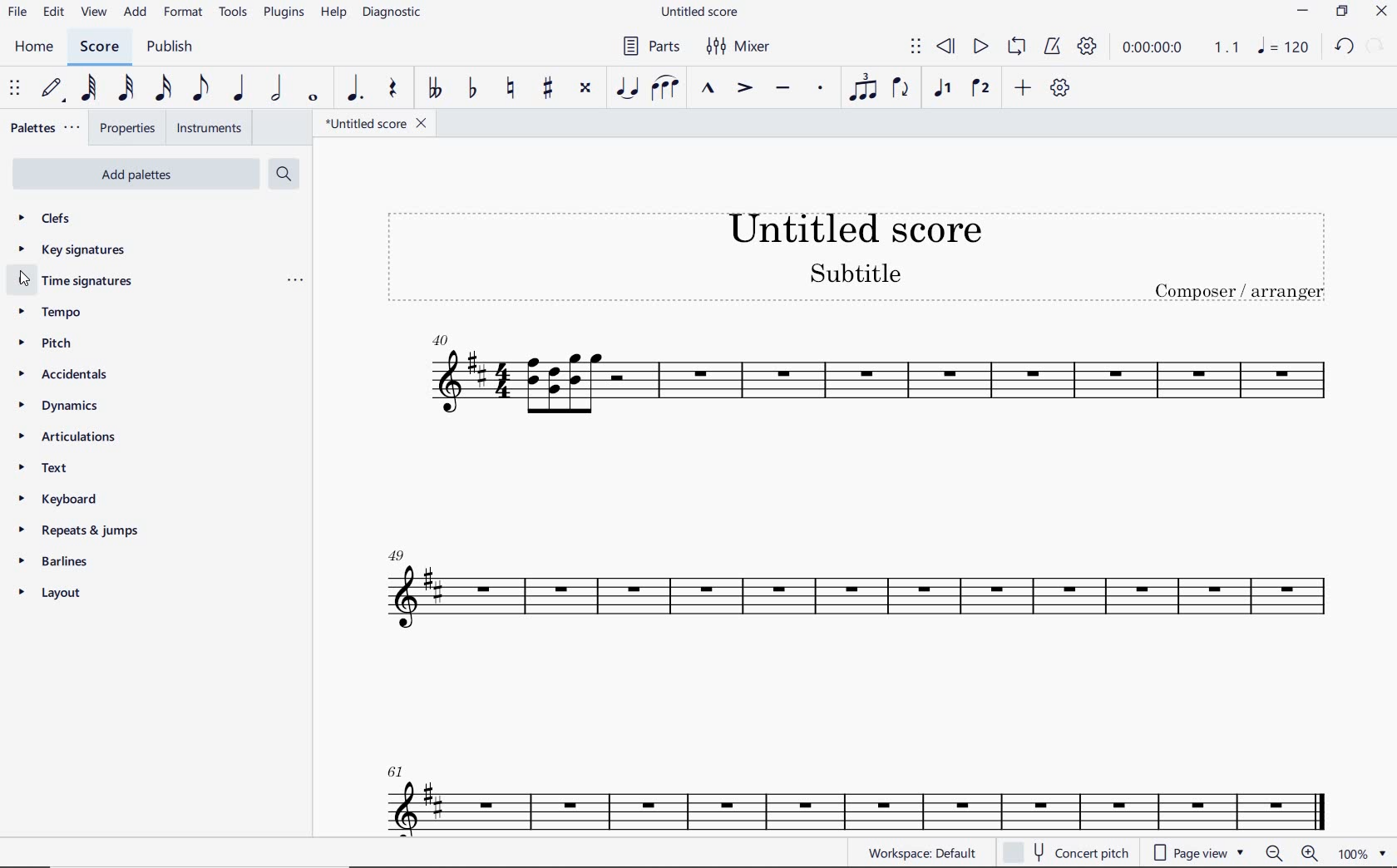 This screenshot has height=868, width=1397. What do you see at coordinates (545, 90) in the screenshot?
I see `TOGGLE SHARP` at bounding box center [545, 90].